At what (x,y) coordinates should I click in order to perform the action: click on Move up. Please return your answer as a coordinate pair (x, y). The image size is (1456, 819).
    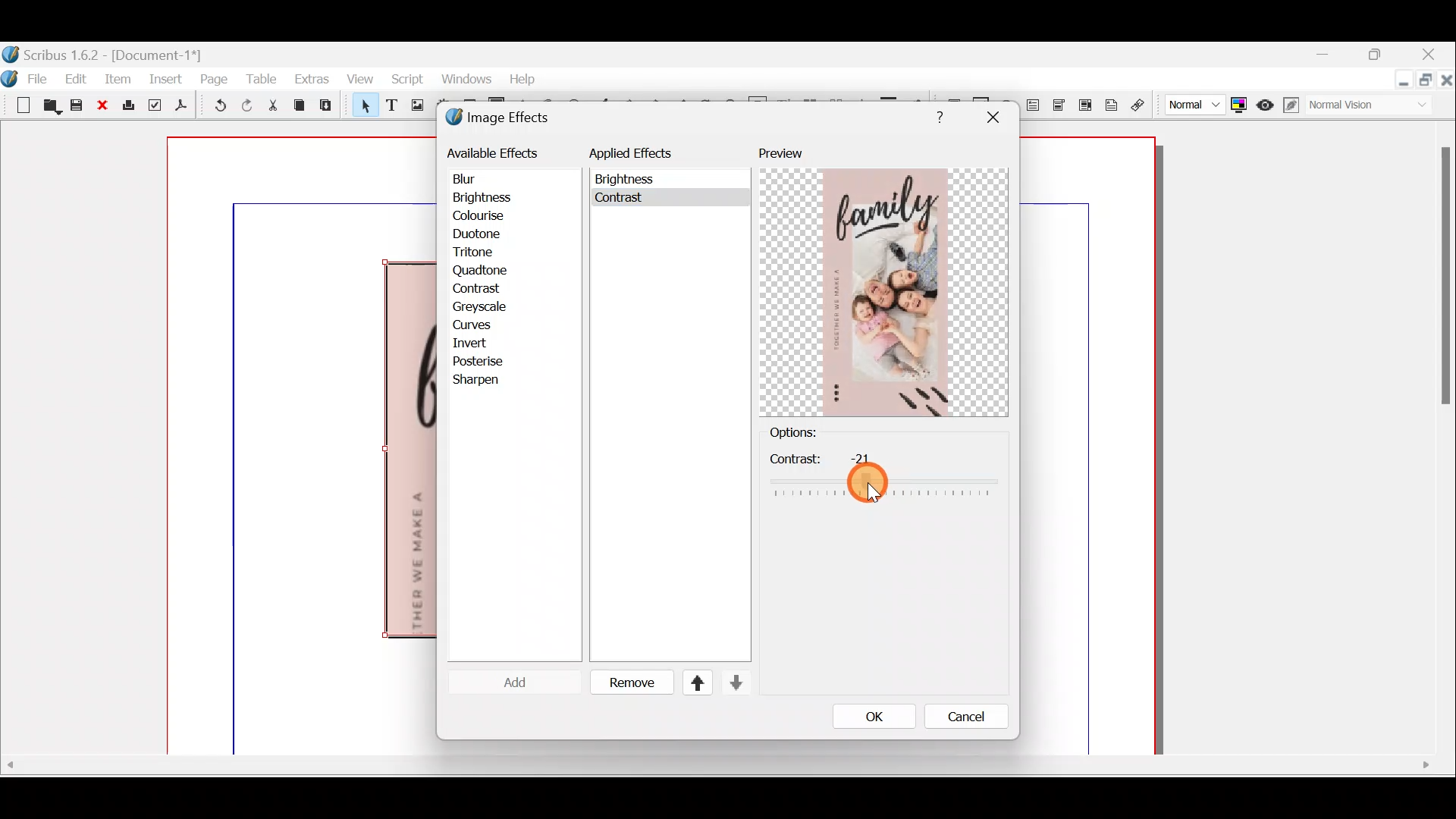
    Looking at the image, I should click on (691, 682).